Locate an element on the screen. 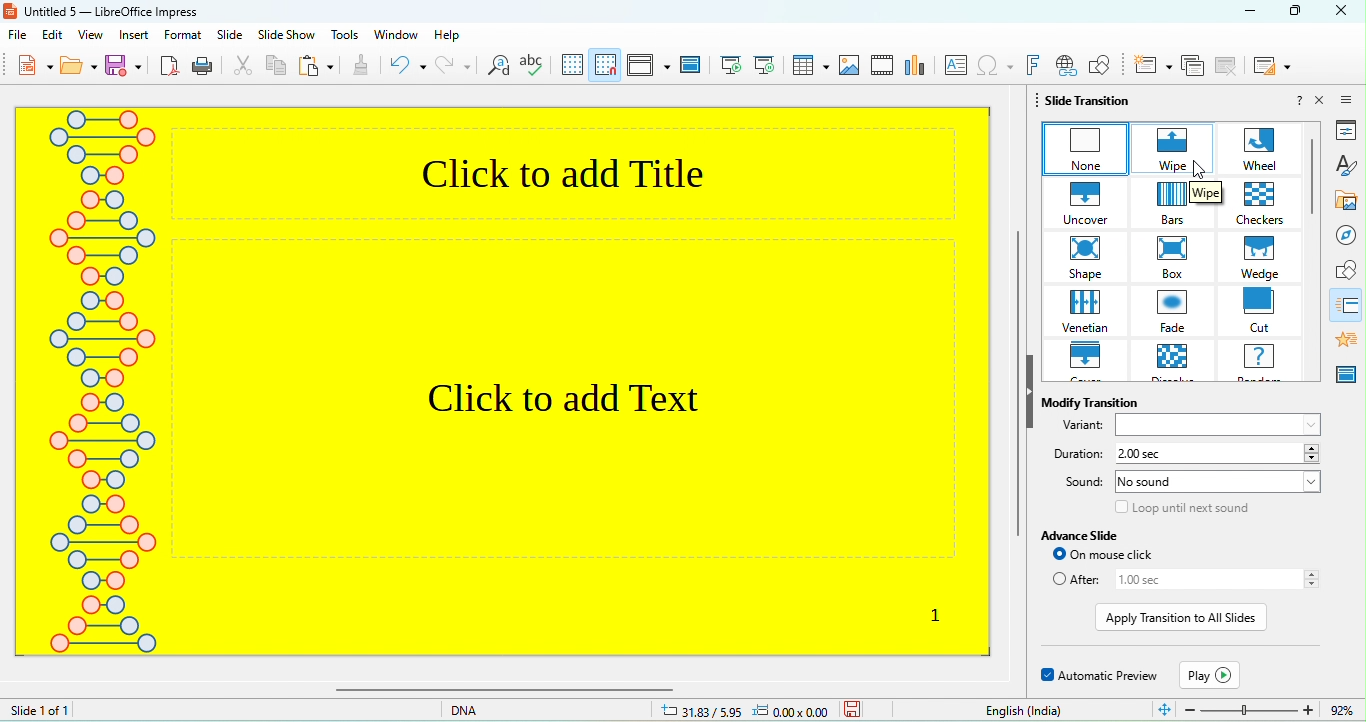 This screenshot has width=1366, height=722. variant is located at coordinates (1186, 427).